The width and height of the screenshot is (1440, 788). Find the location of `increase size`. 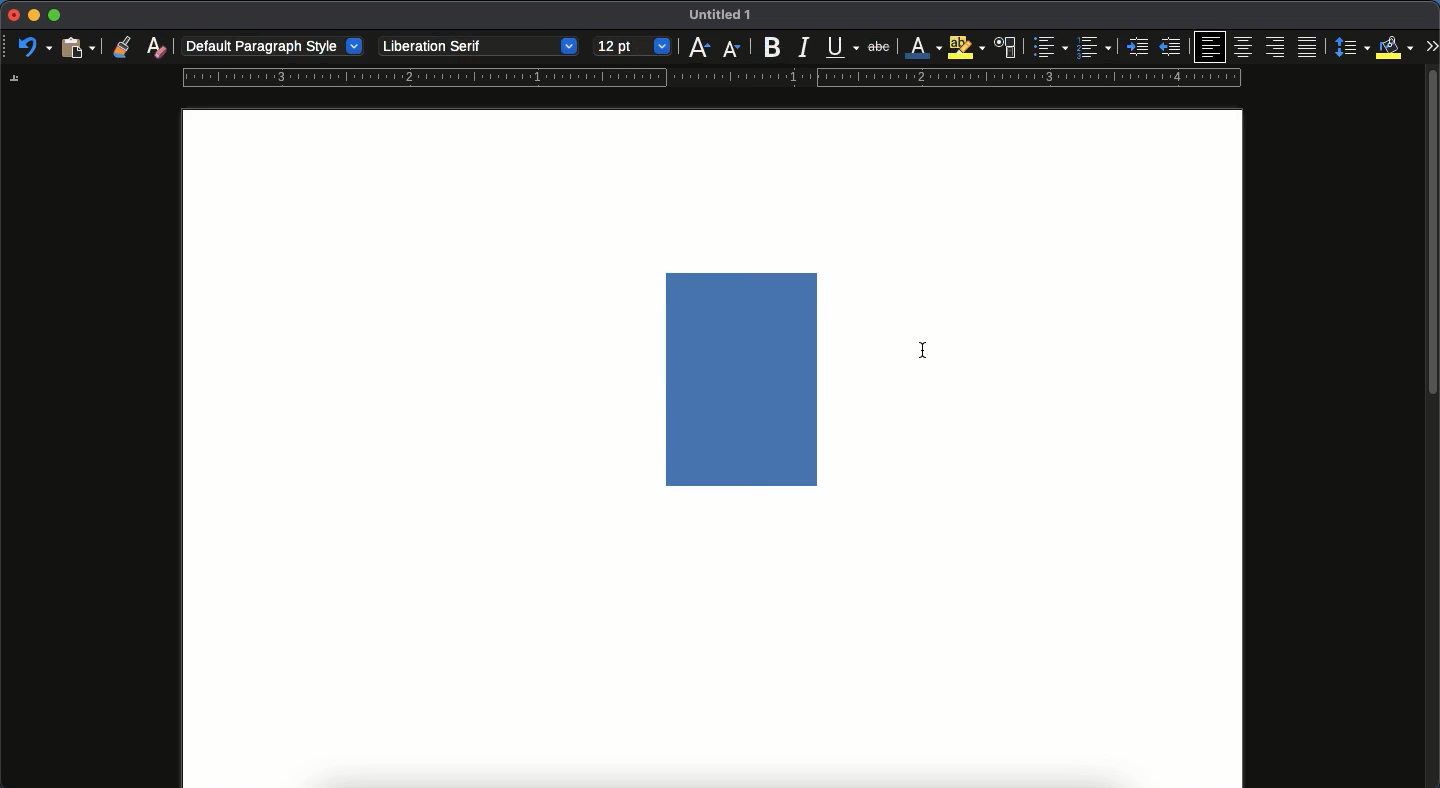

increase size is located at coordinates (697, 48).